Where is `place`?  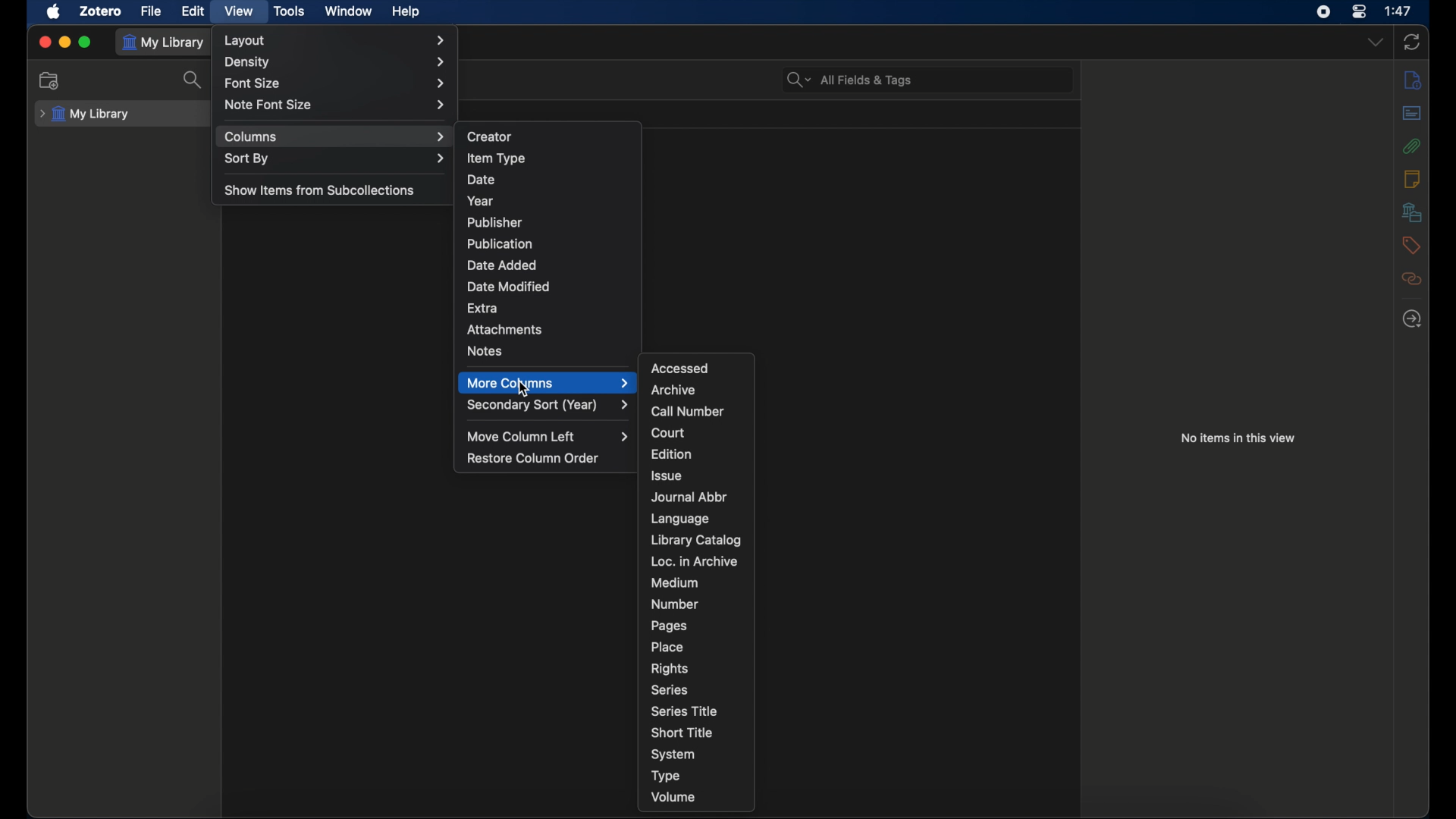 place is located at coordinates (668, 647).